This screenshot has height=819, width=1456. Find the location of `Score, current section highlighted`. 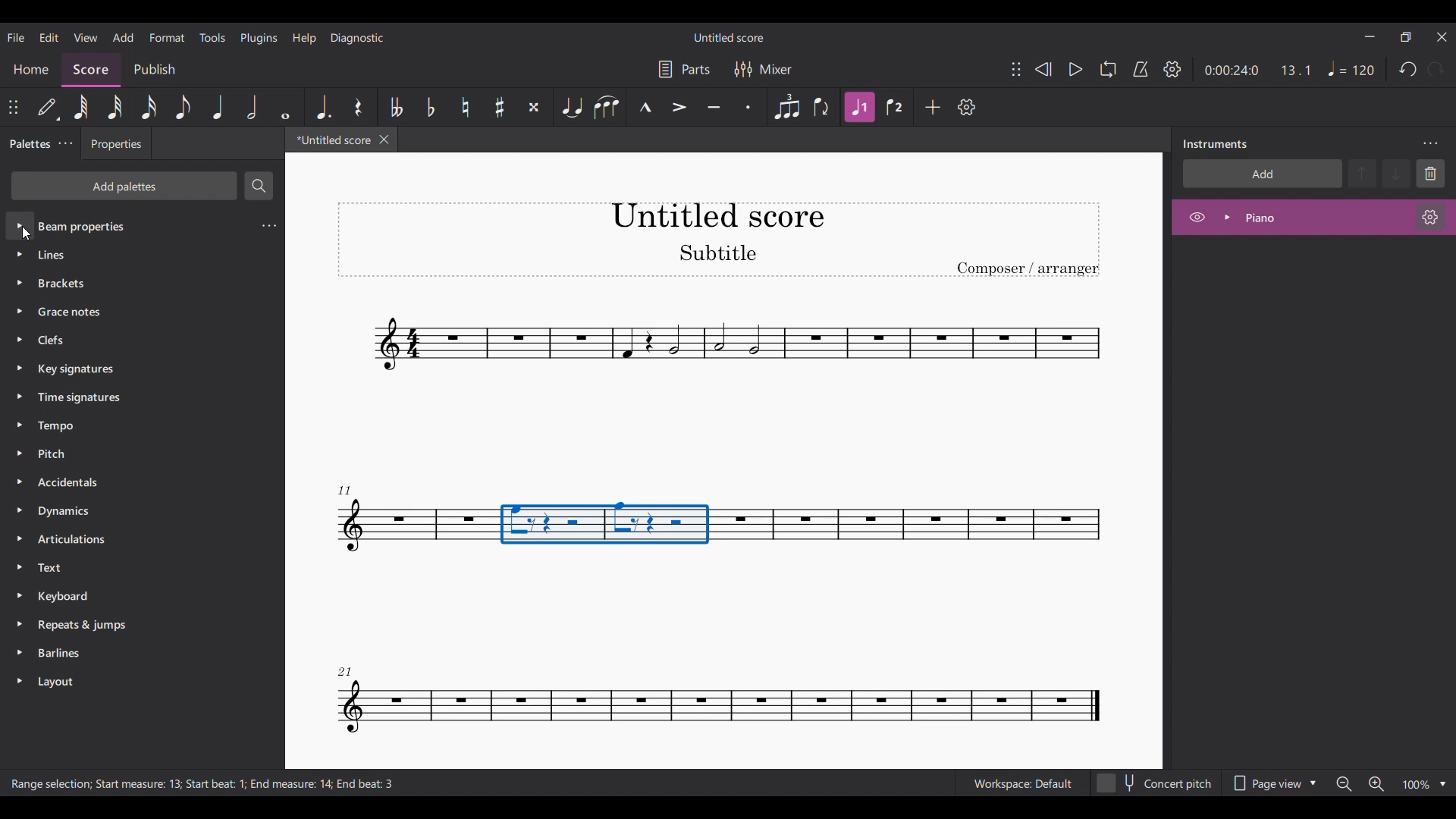

Score, current section highlighted is located at coordinates (91, 67).